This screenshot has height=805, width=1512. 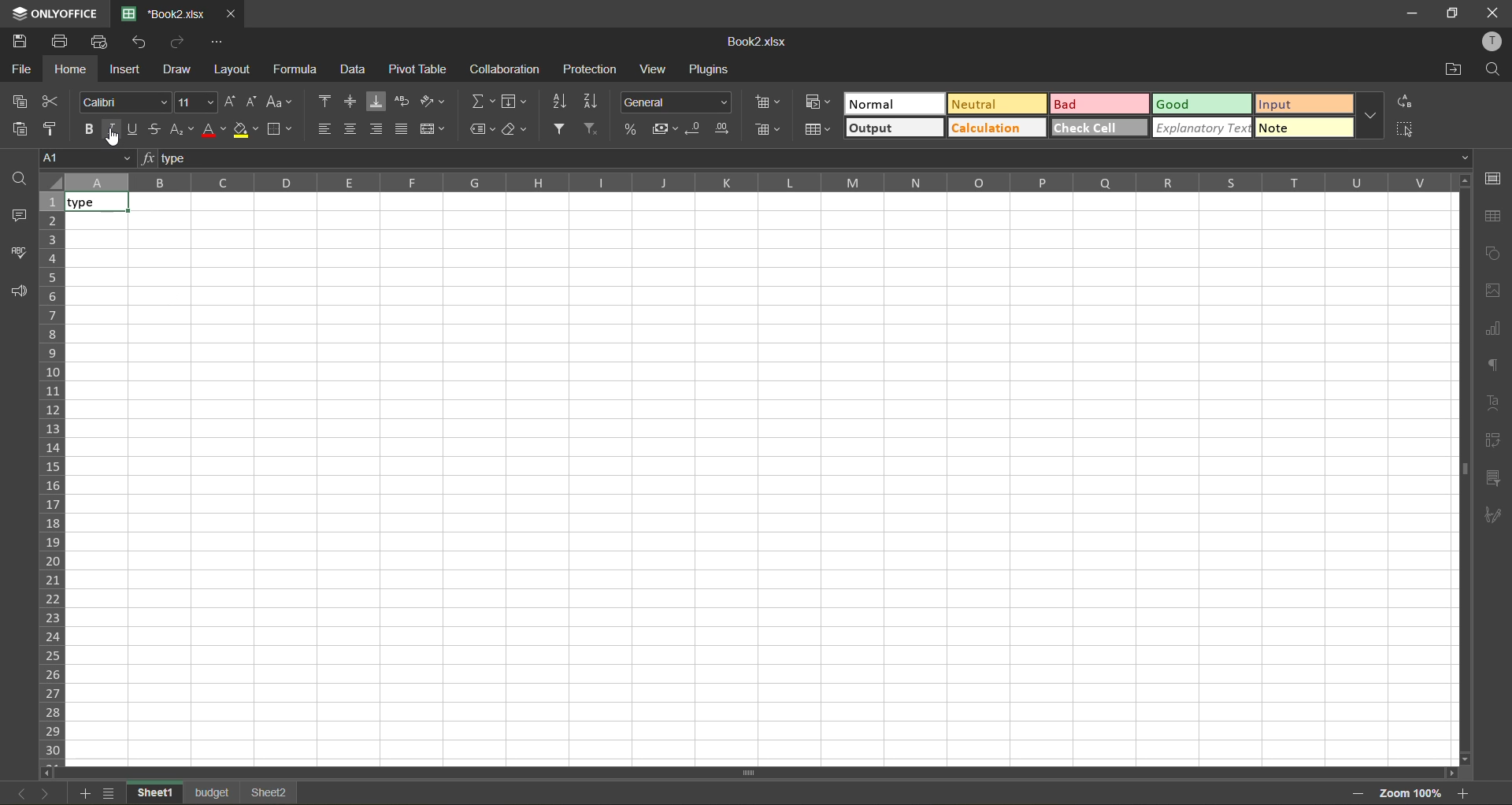 I want to click on charts, so click(x=1493, y=328).